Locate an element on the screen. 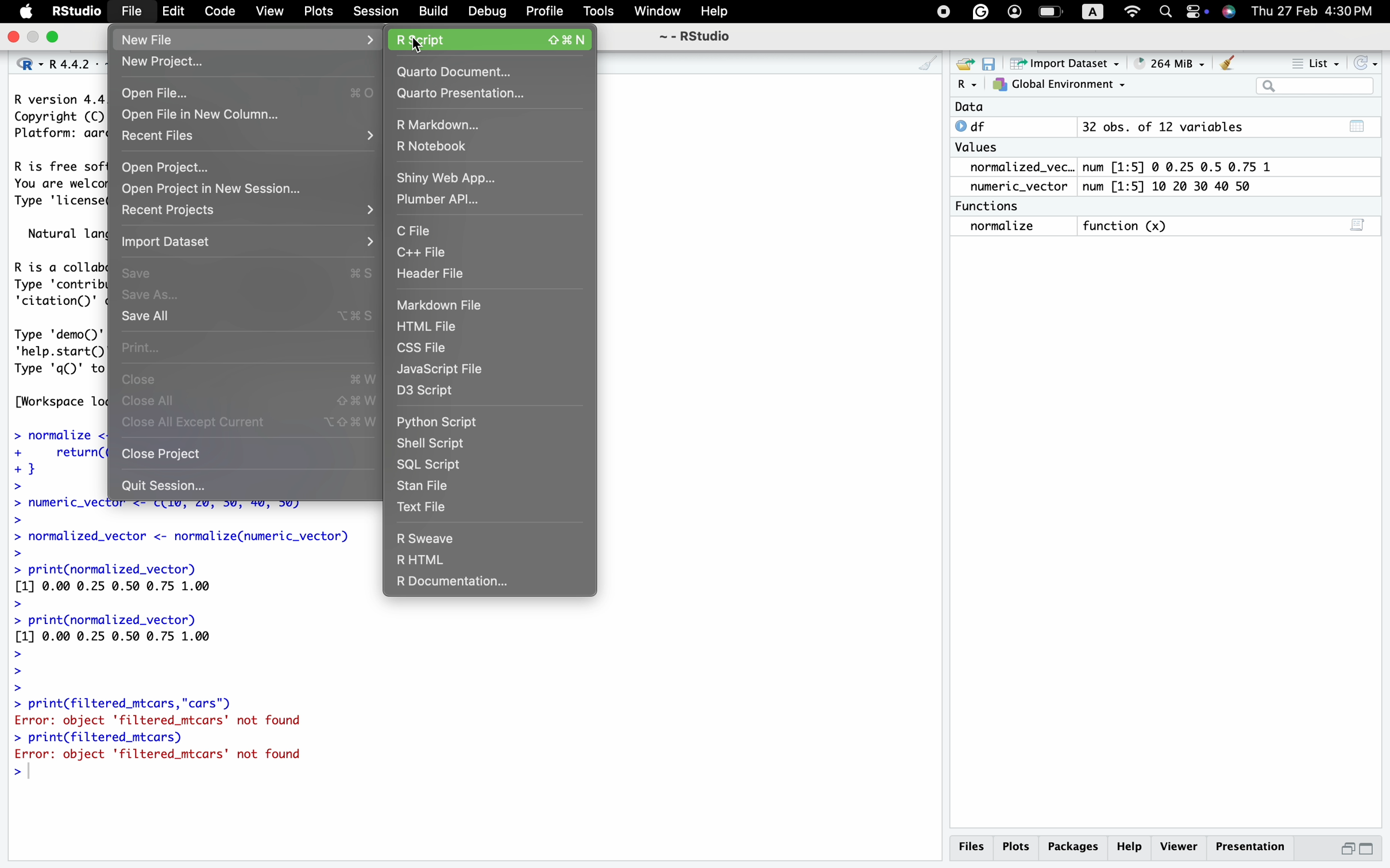 The width and height of the screenshot is (1390, 868). normalize is located at coordinates (1001, 227).